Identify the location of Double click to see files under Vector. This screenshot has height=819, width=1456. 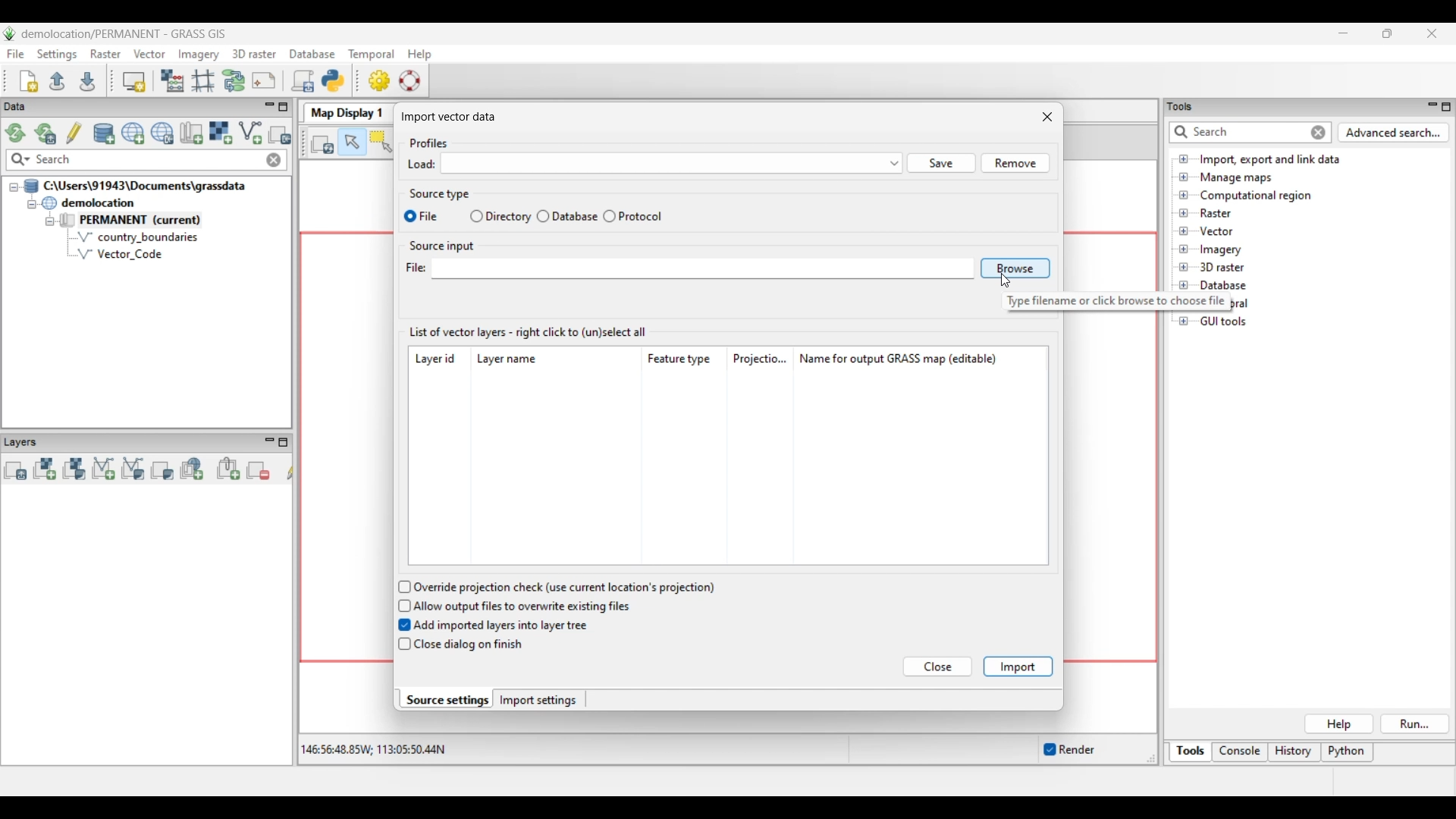
(1216, 231).